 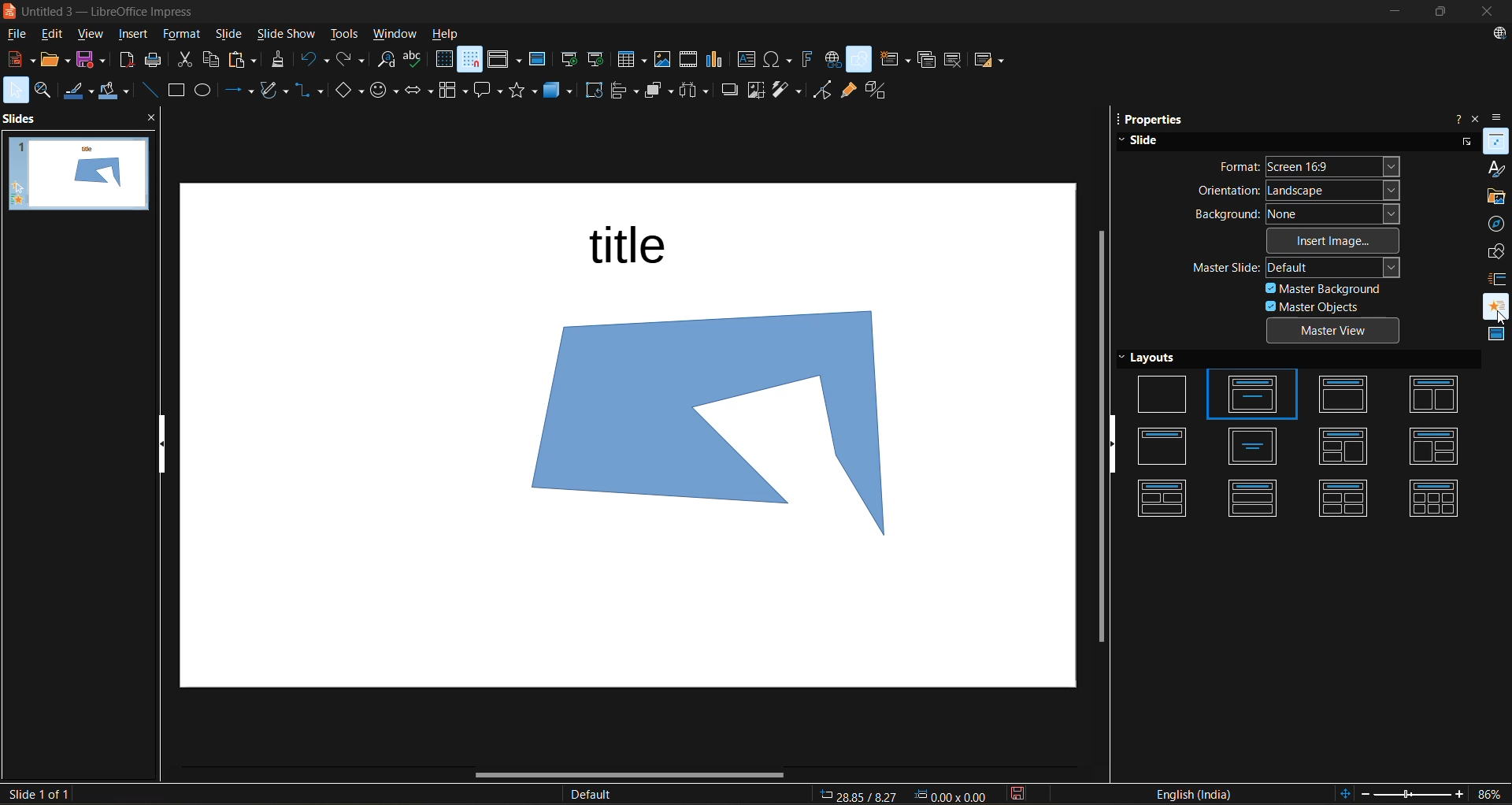 What do you see at coordinates (1017, 793) in the screenshot?
I see `click to save` at bounding box center [1017, 793].